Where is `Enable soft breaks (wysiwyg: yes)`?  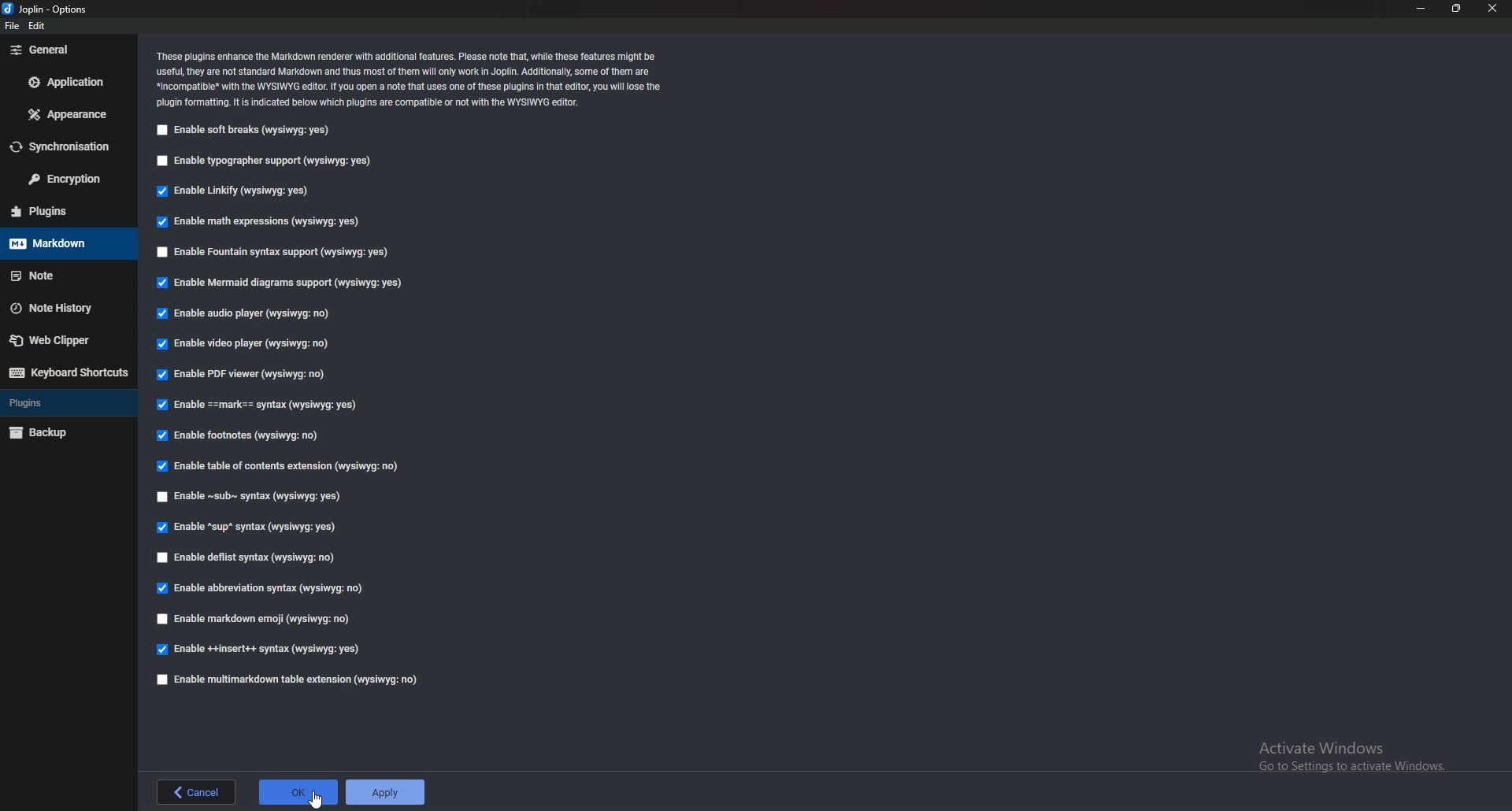 Enable soft breaks (wysiwyg: yes) is located at coordinates (249, 129).